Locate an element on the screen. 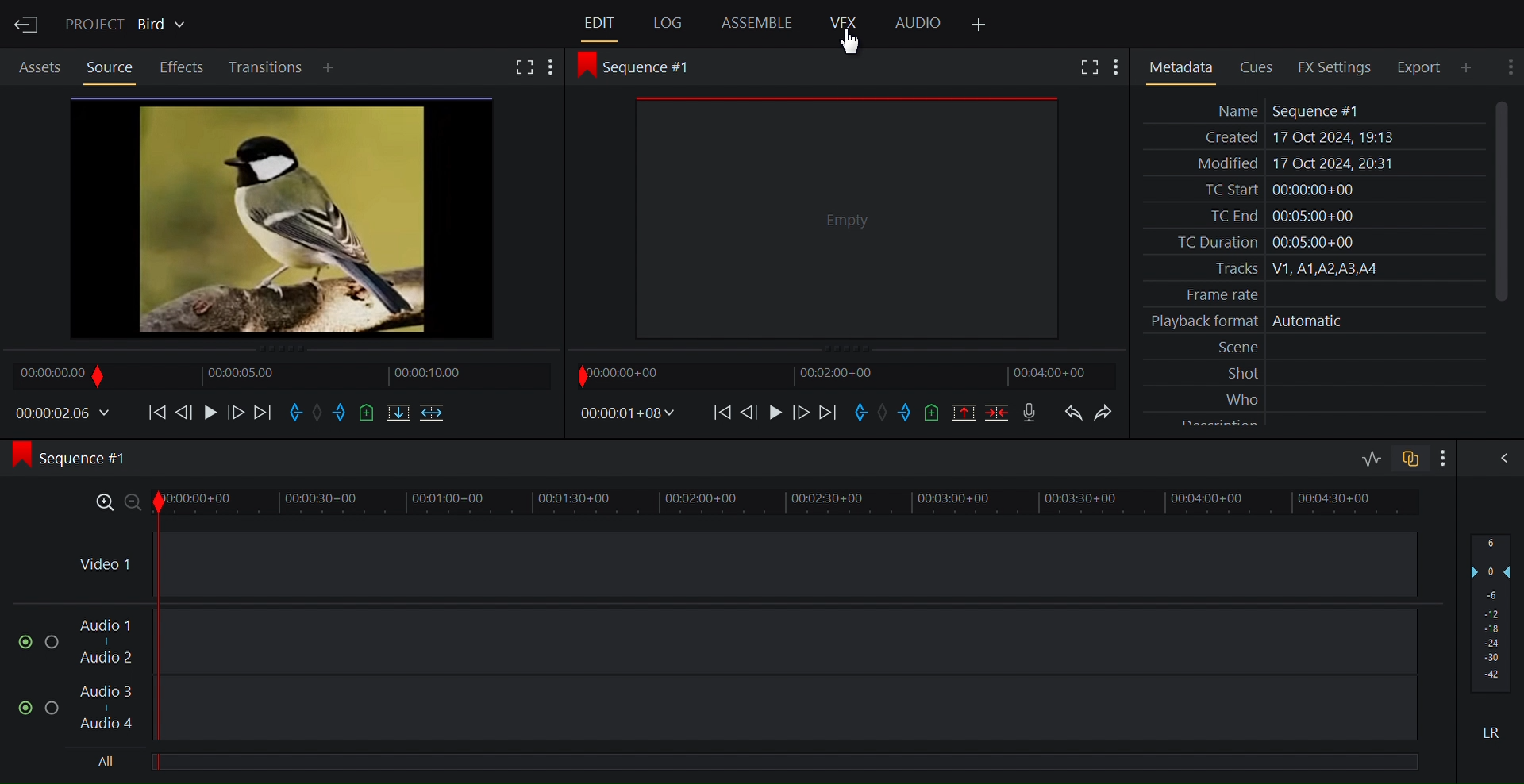 This screenshot has width=1524, height=784. Show/Hide full audio mix is located at coordinates (1499, 459).